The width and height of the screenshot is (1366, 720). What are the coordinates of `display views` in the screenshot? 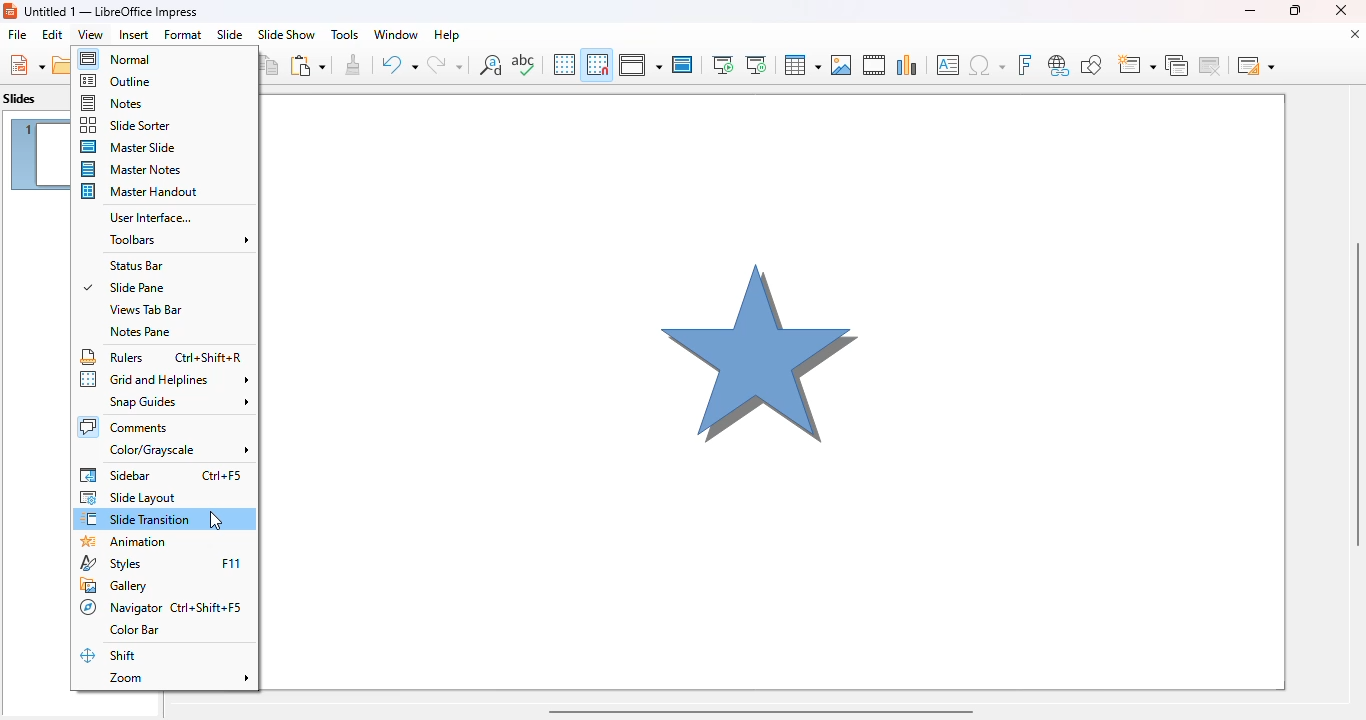 It's located at (639, 64).